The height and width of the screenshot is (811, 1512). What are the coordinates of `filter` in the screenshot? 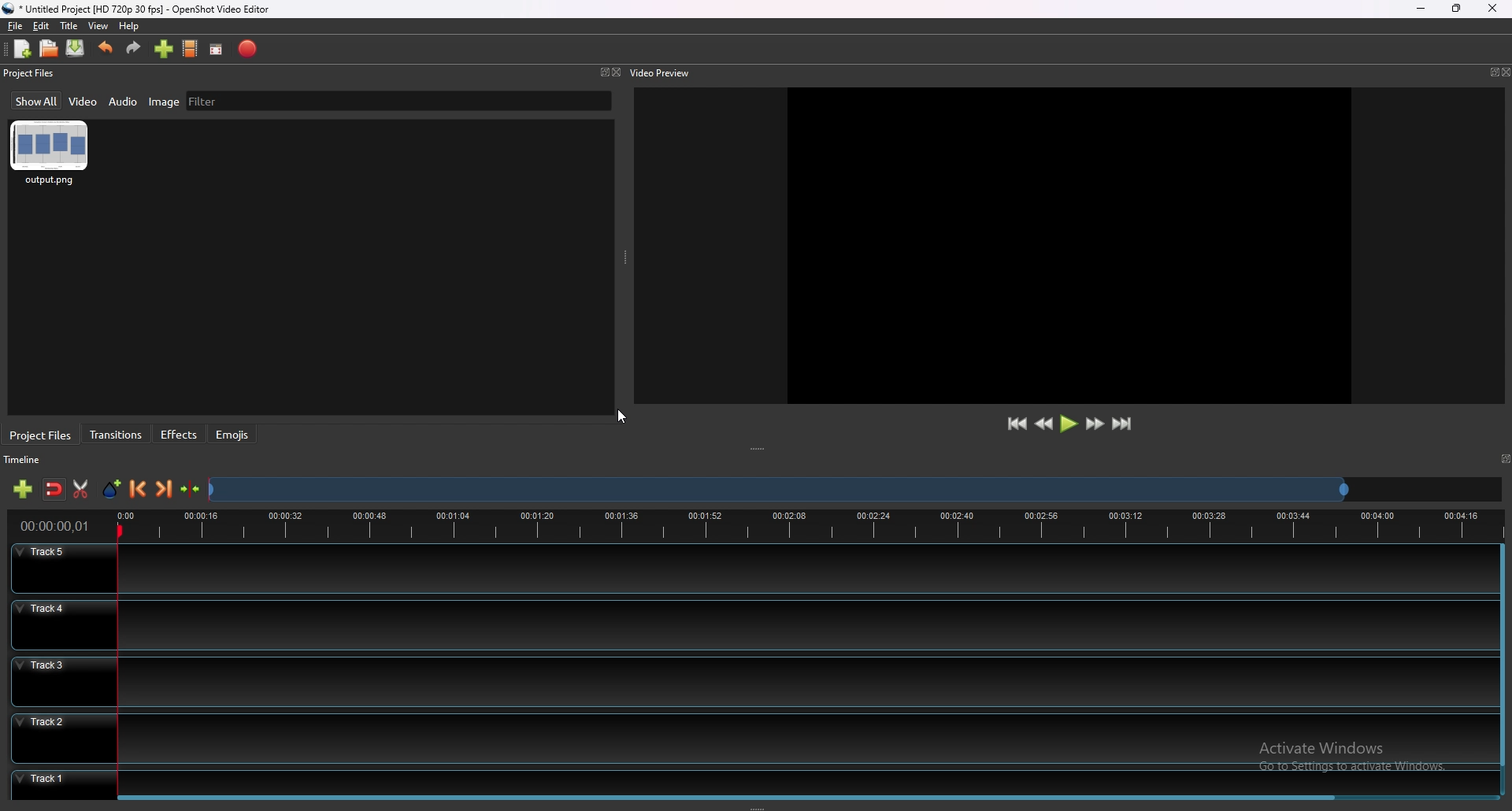 It's located at (204, 101).